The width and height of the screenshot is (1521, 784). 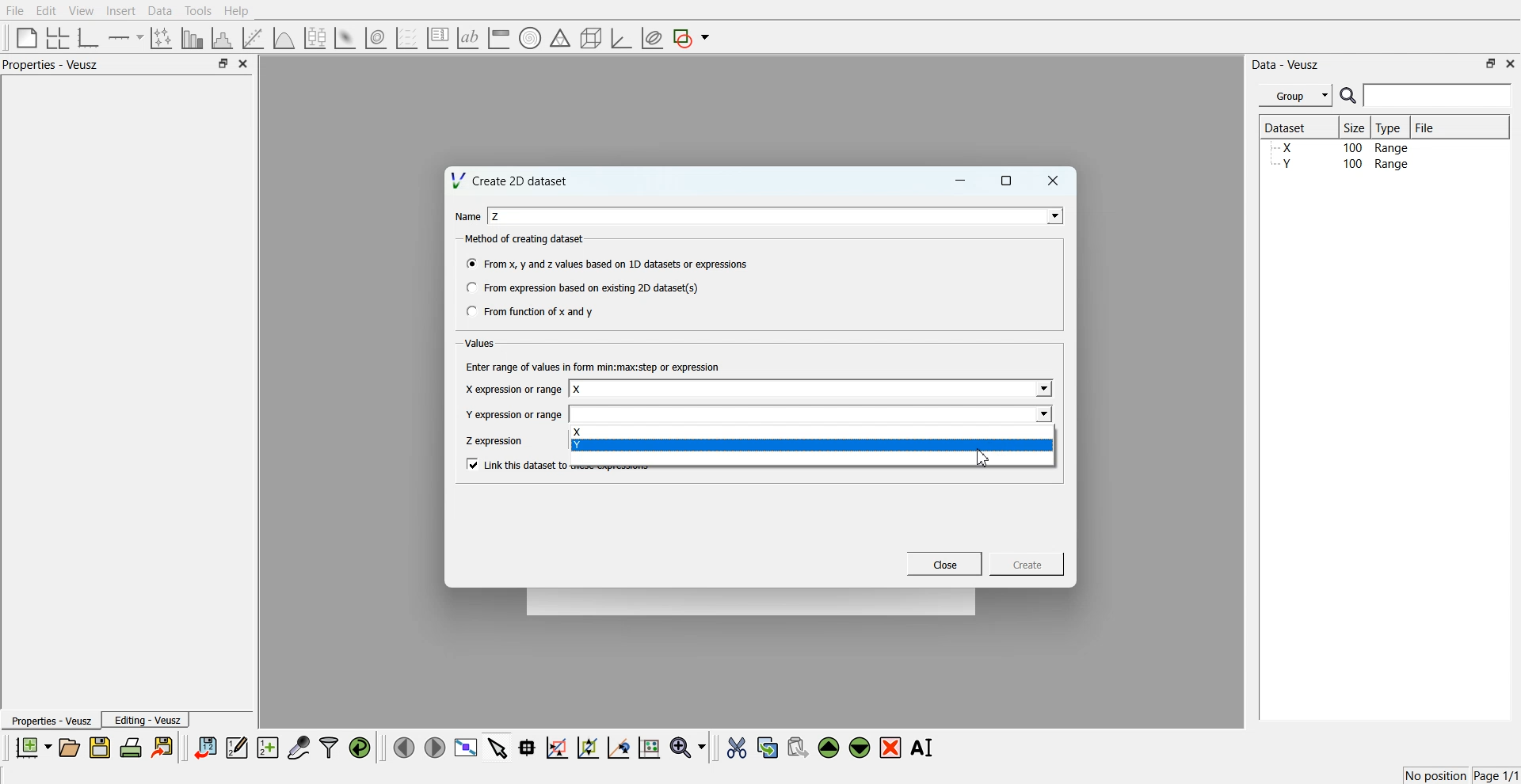 I want to click on Capture remote data, so click(x=299, y=747).